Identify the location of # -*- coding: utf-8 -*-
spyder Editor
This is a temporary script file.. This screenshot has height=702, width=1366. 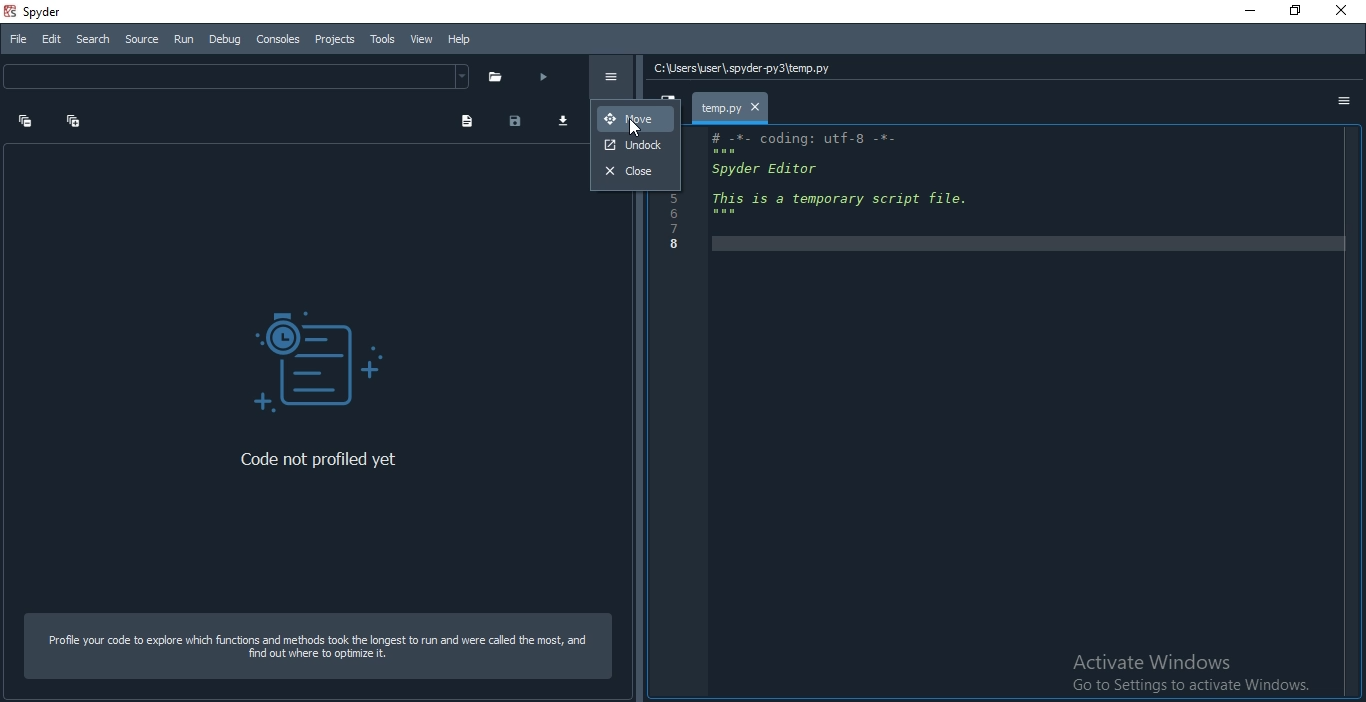
(857, 177).